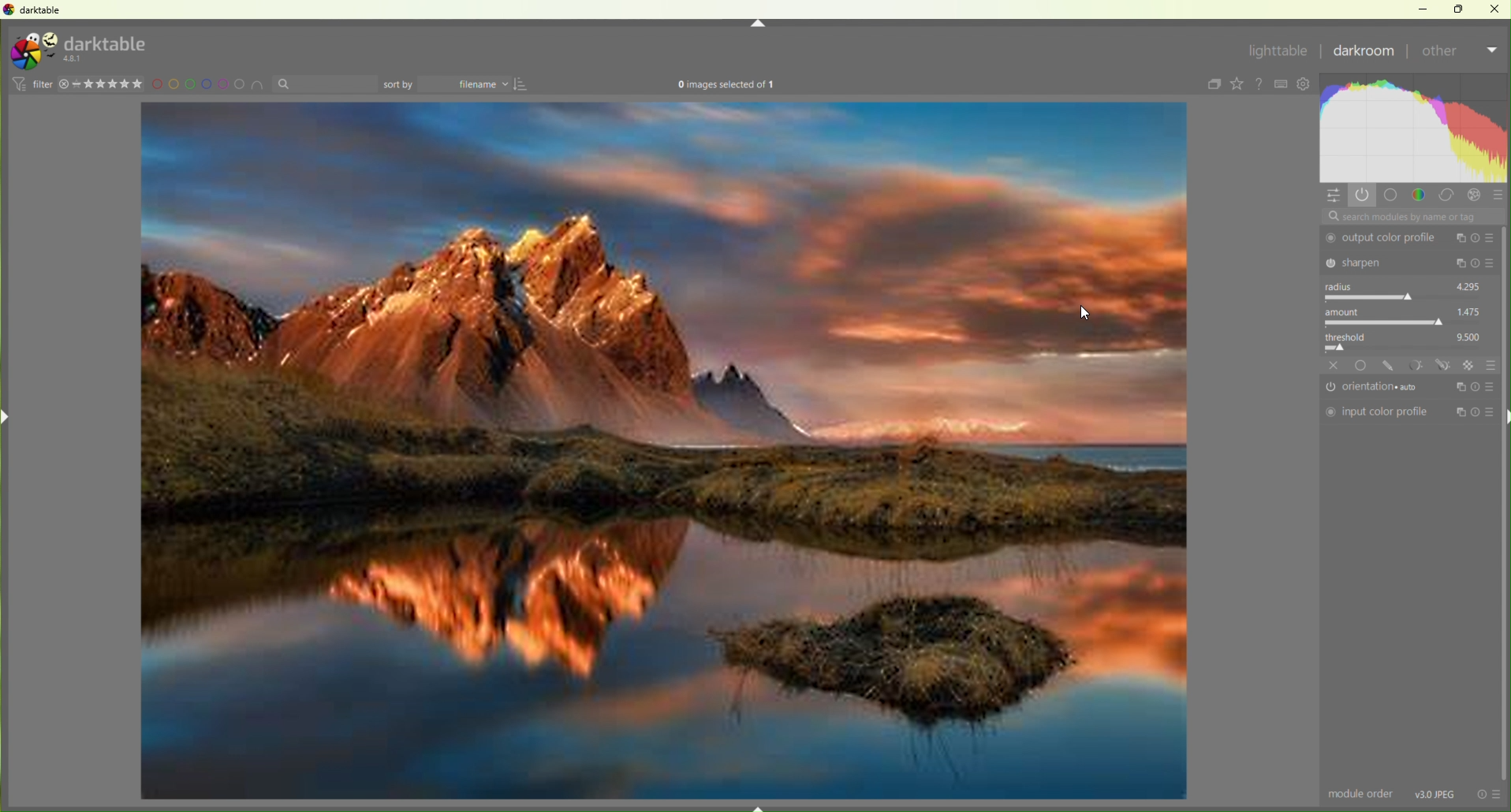 The height and width of the screenshot is (812, 1511). Describe the element at coordinates (1458, 54) in the screenshot. I see `Other` at that location.